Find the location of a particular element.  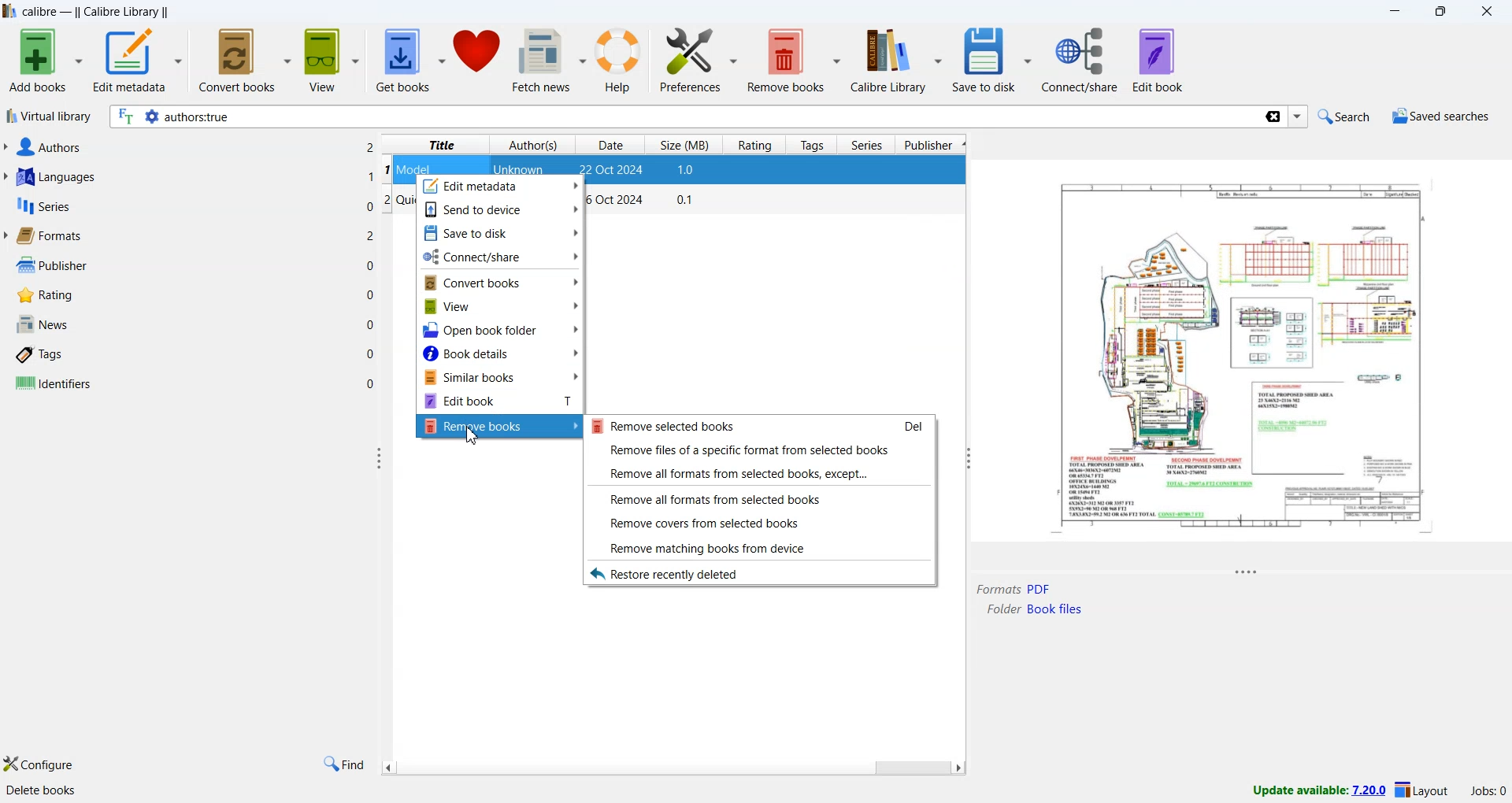

tags is located at coordinates (814, 145).